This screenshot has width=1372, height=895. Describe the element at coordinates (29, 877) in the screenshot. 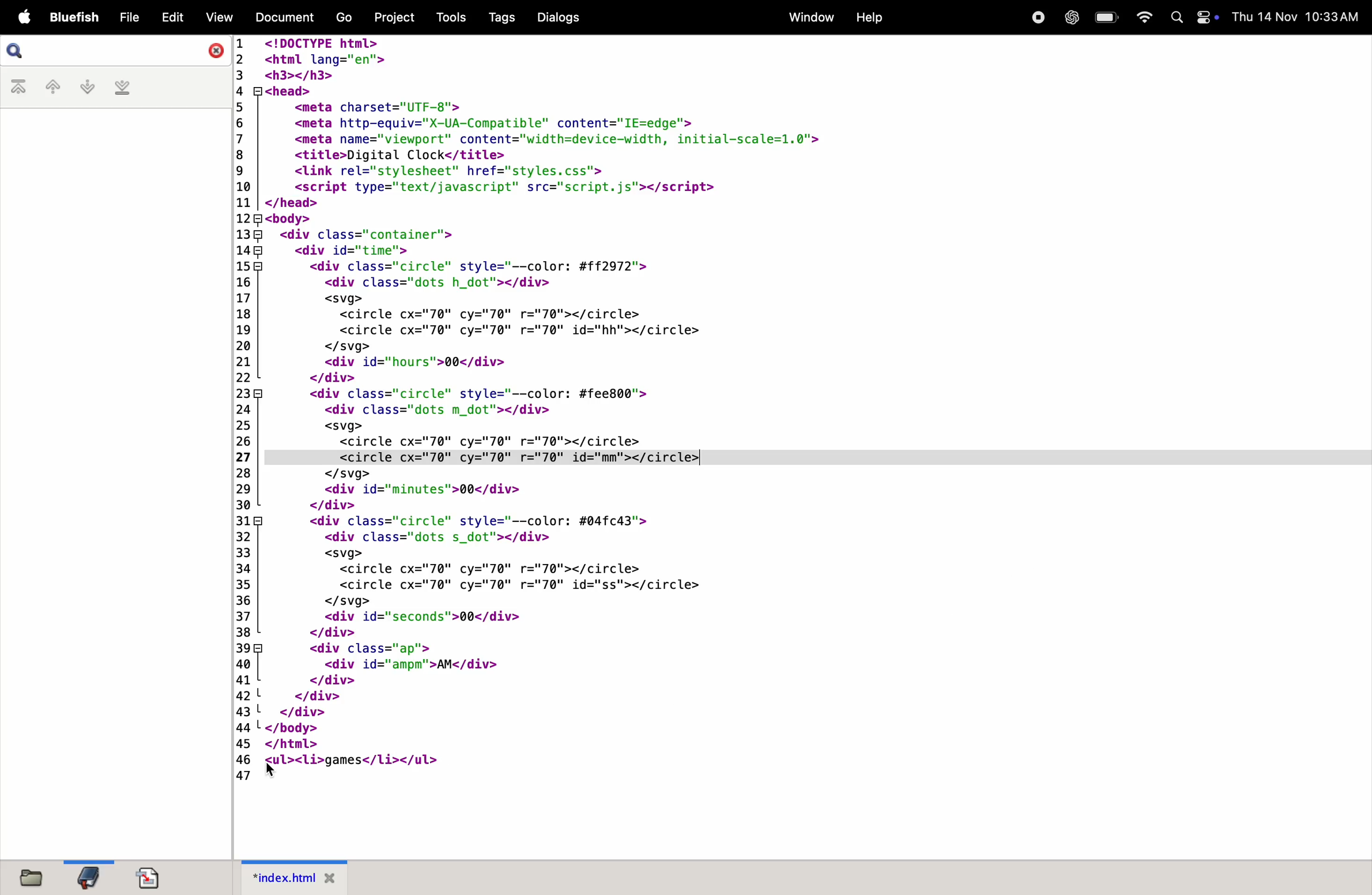

I see `file` at that location.